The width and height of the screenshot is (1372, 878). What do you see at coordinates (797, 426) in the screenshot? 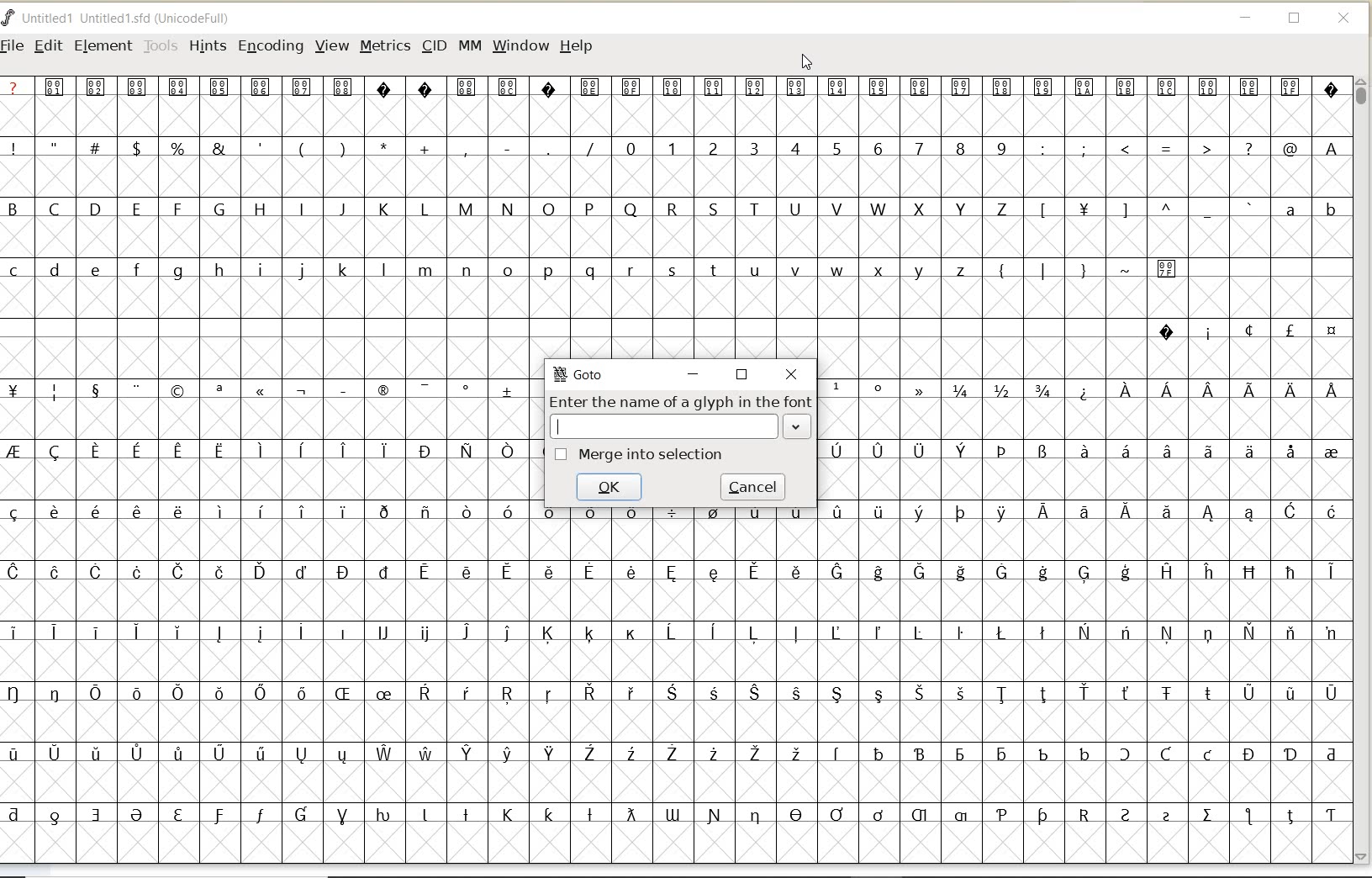
I see `expand` at bounding box center [797, 426].